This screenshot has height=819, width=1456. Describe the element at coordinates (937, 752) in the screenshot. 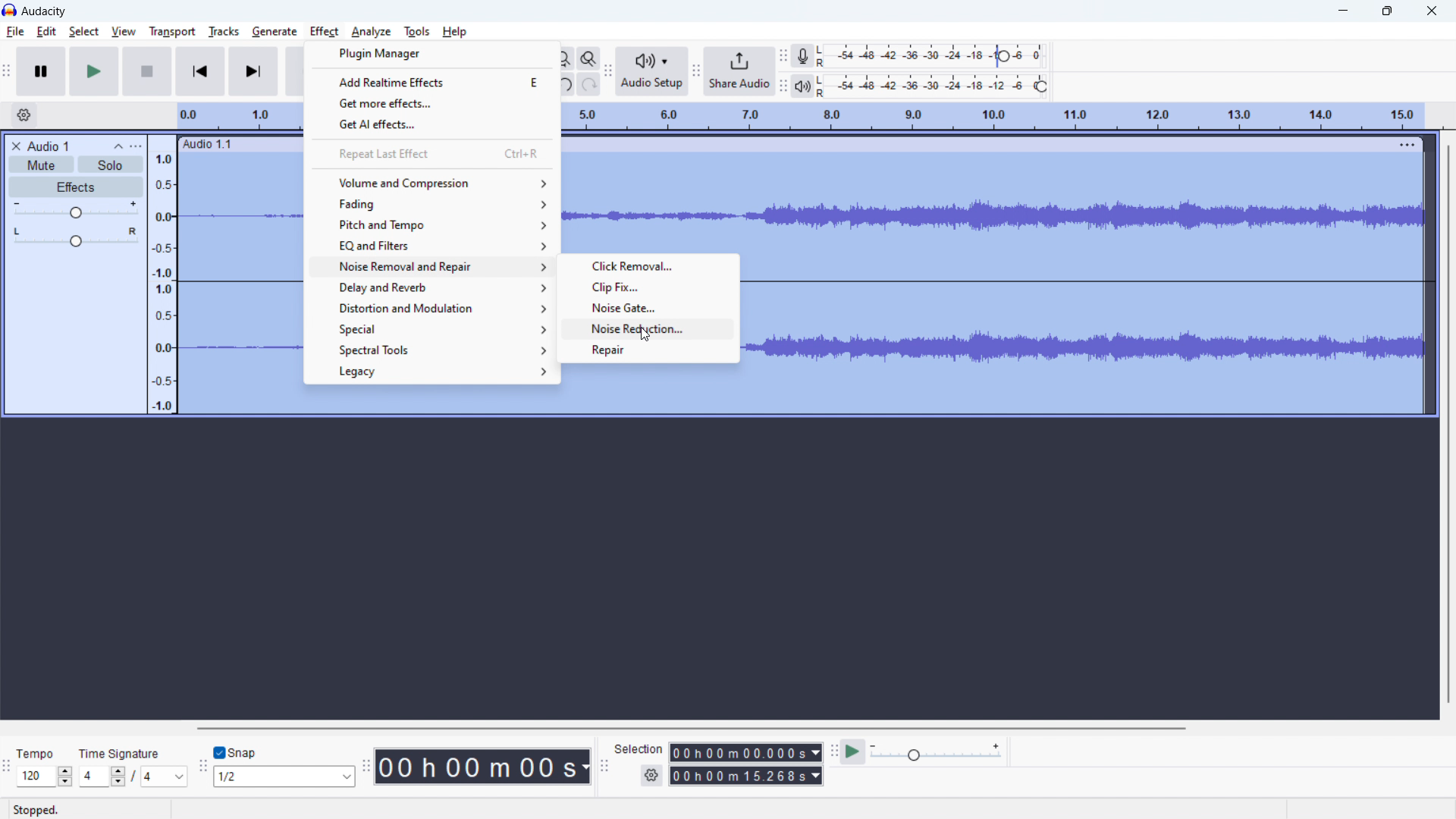

I see `playback meter` at that location.